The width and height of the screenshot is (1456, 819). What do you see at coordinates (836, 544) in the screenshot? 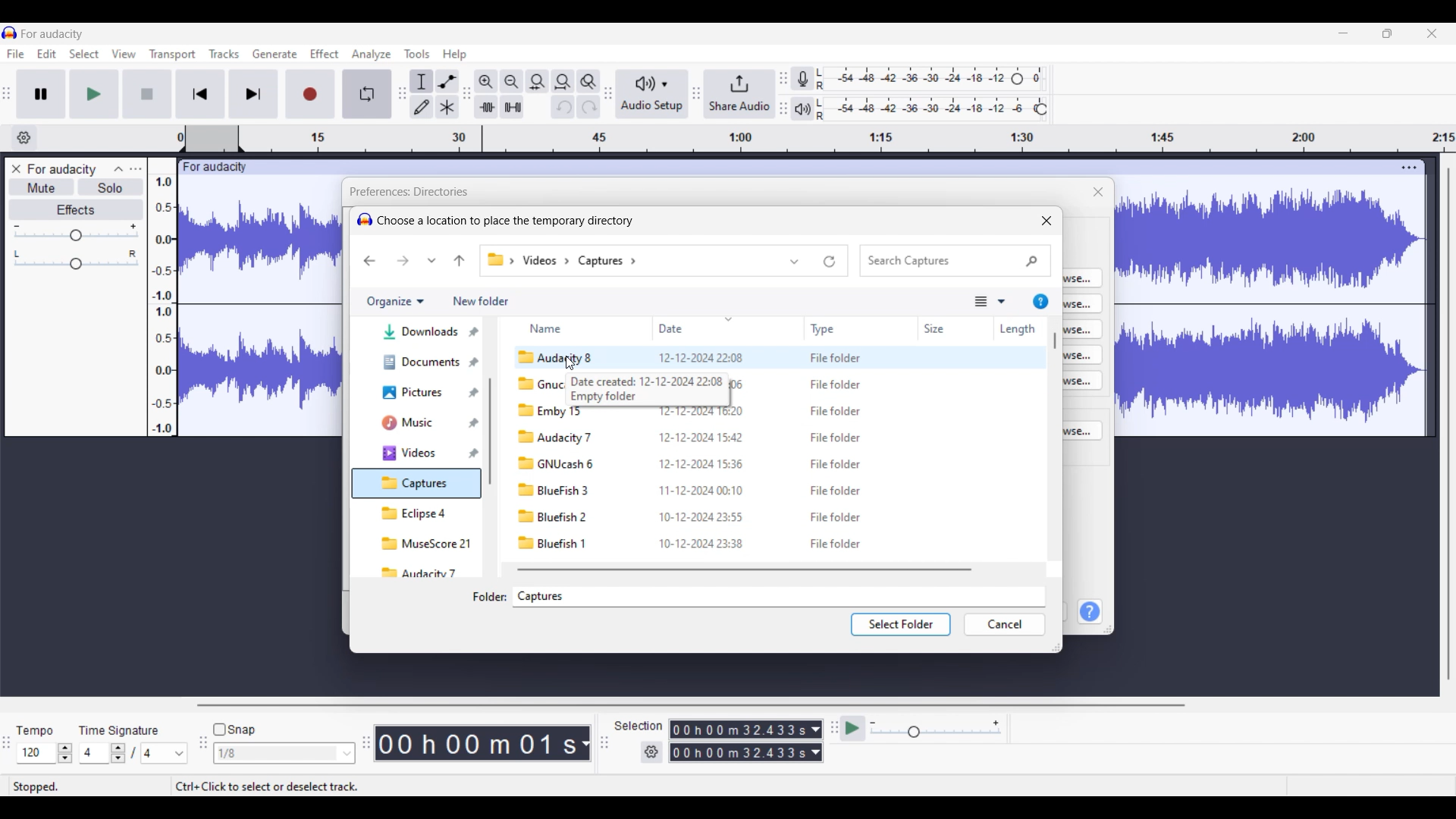
I see `file folder` at bounding box center [836, 544].